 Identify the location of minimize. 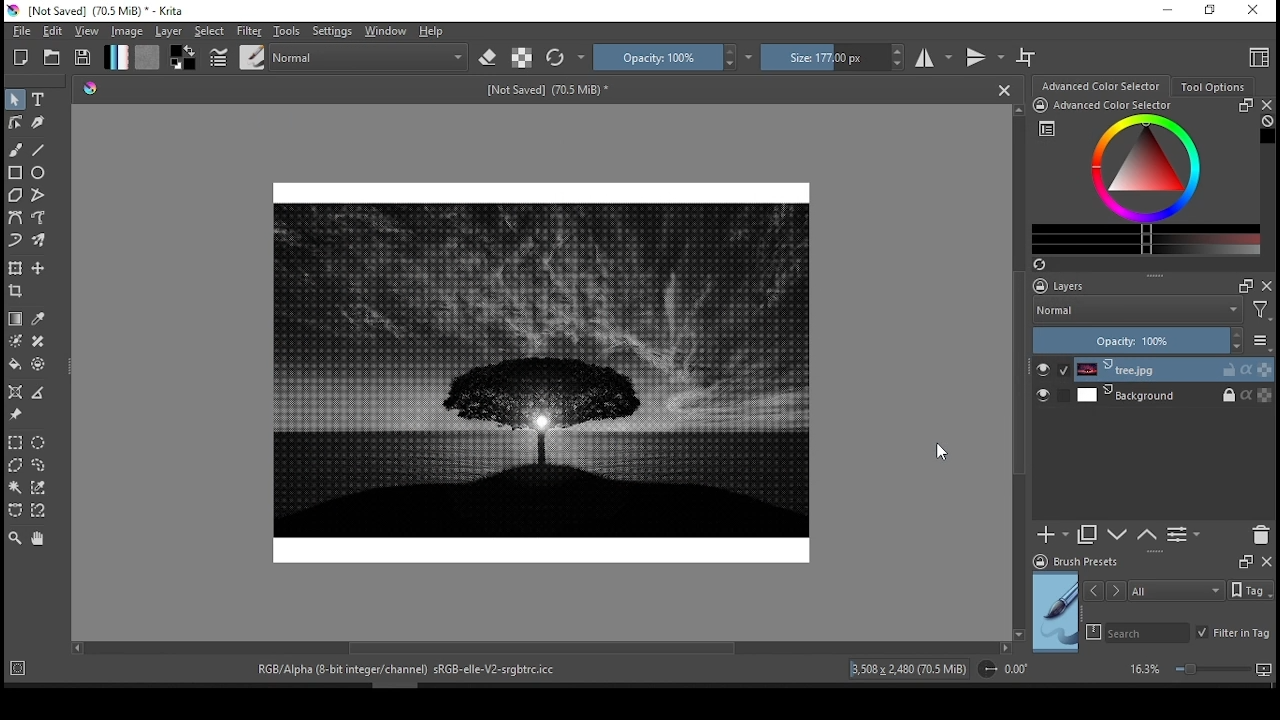
(1166, 10).